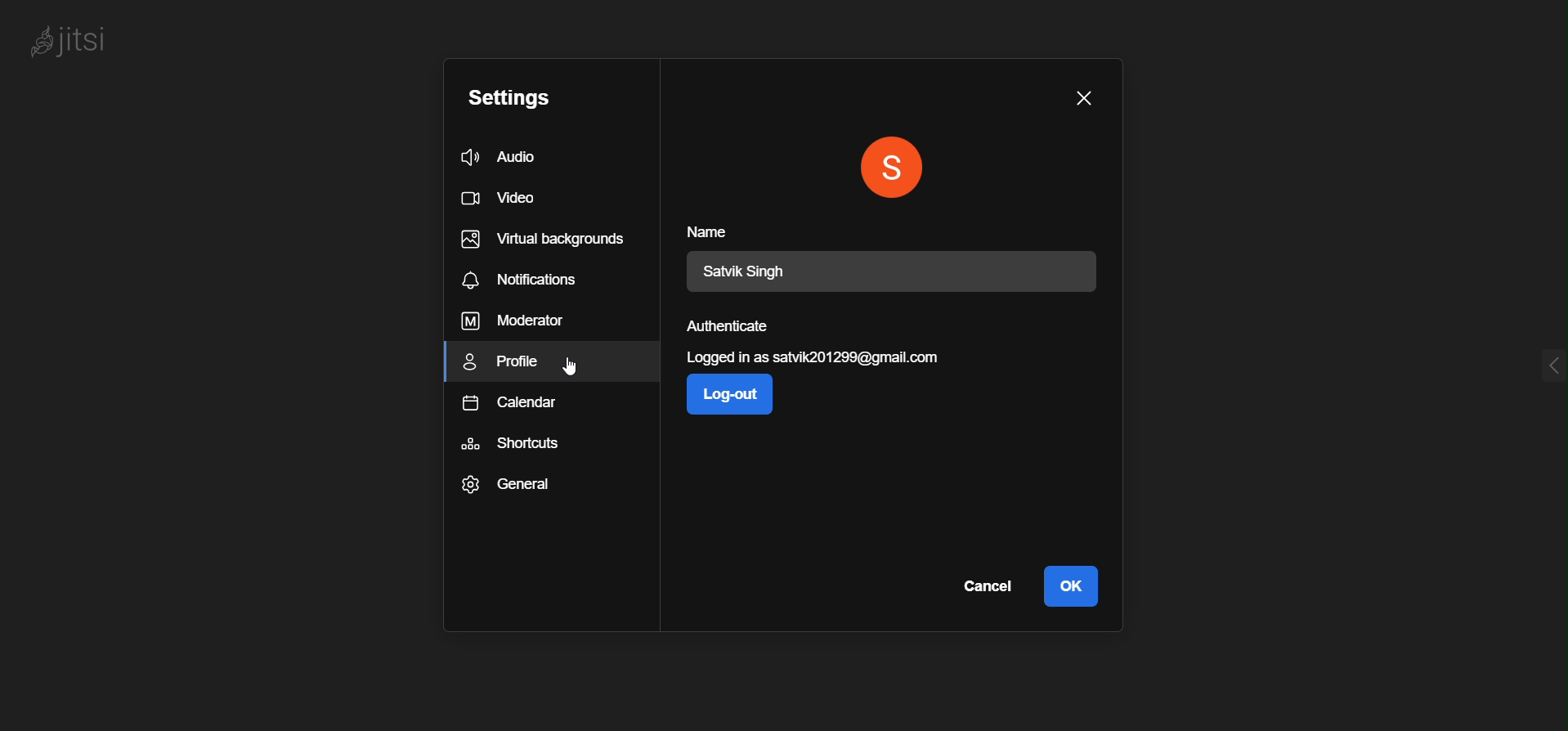 The image size is (1568, 731). I want to click on notifications, so click(524, 281).